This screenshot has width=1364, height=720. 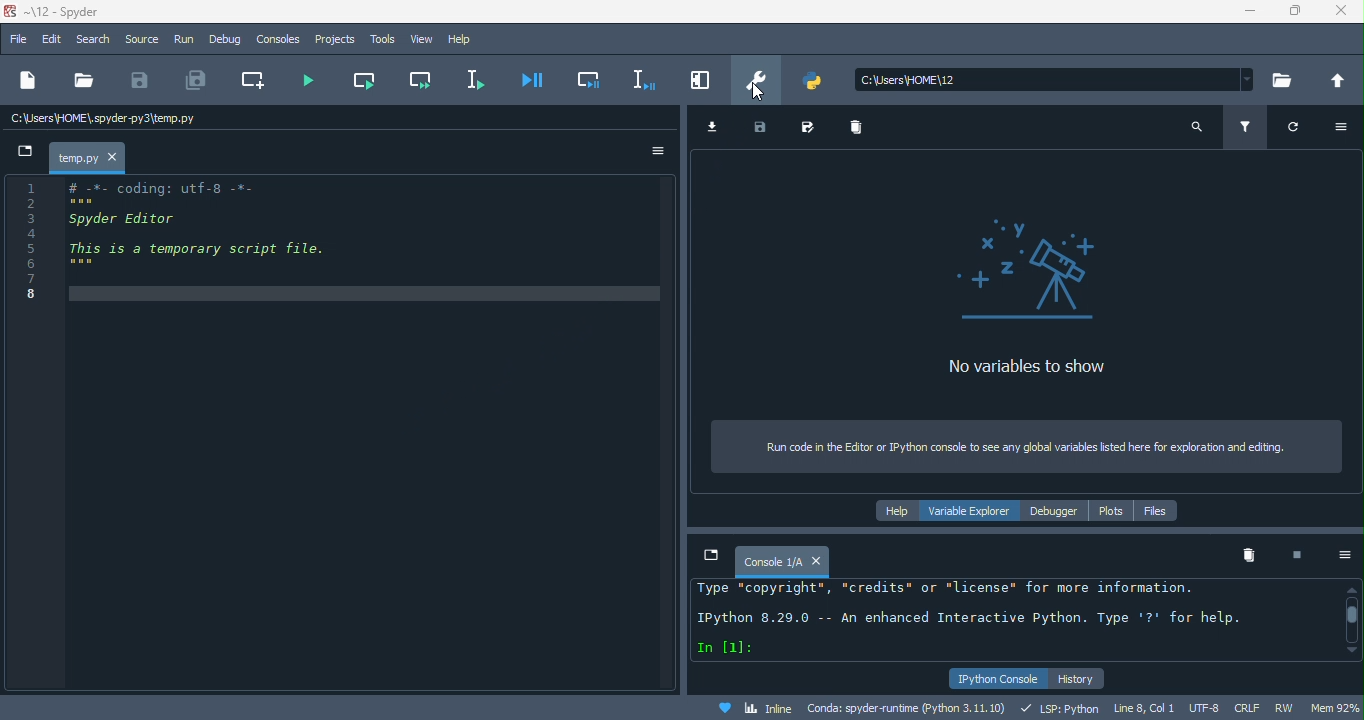 What do you see at coordinates (379, 39) in the screenshot?
I see `tools` at bounding box center [379, 39].